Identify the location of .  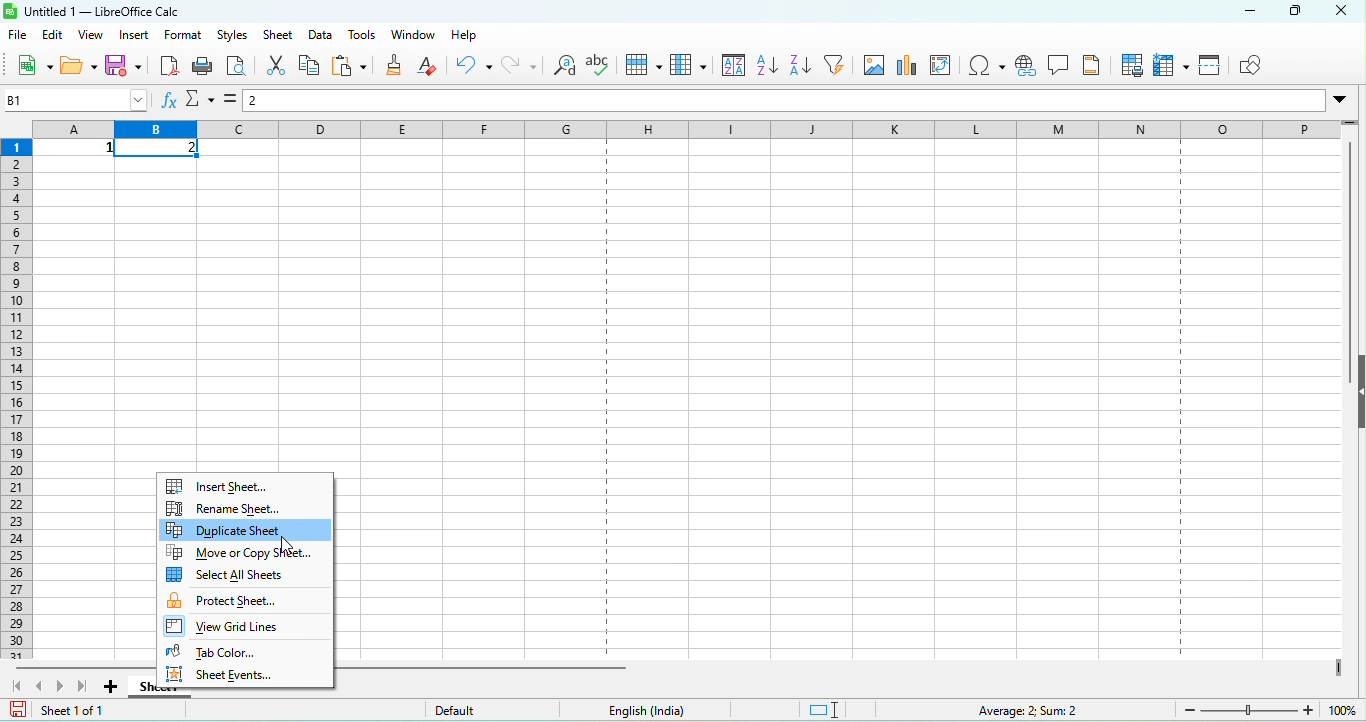
(289, 547).